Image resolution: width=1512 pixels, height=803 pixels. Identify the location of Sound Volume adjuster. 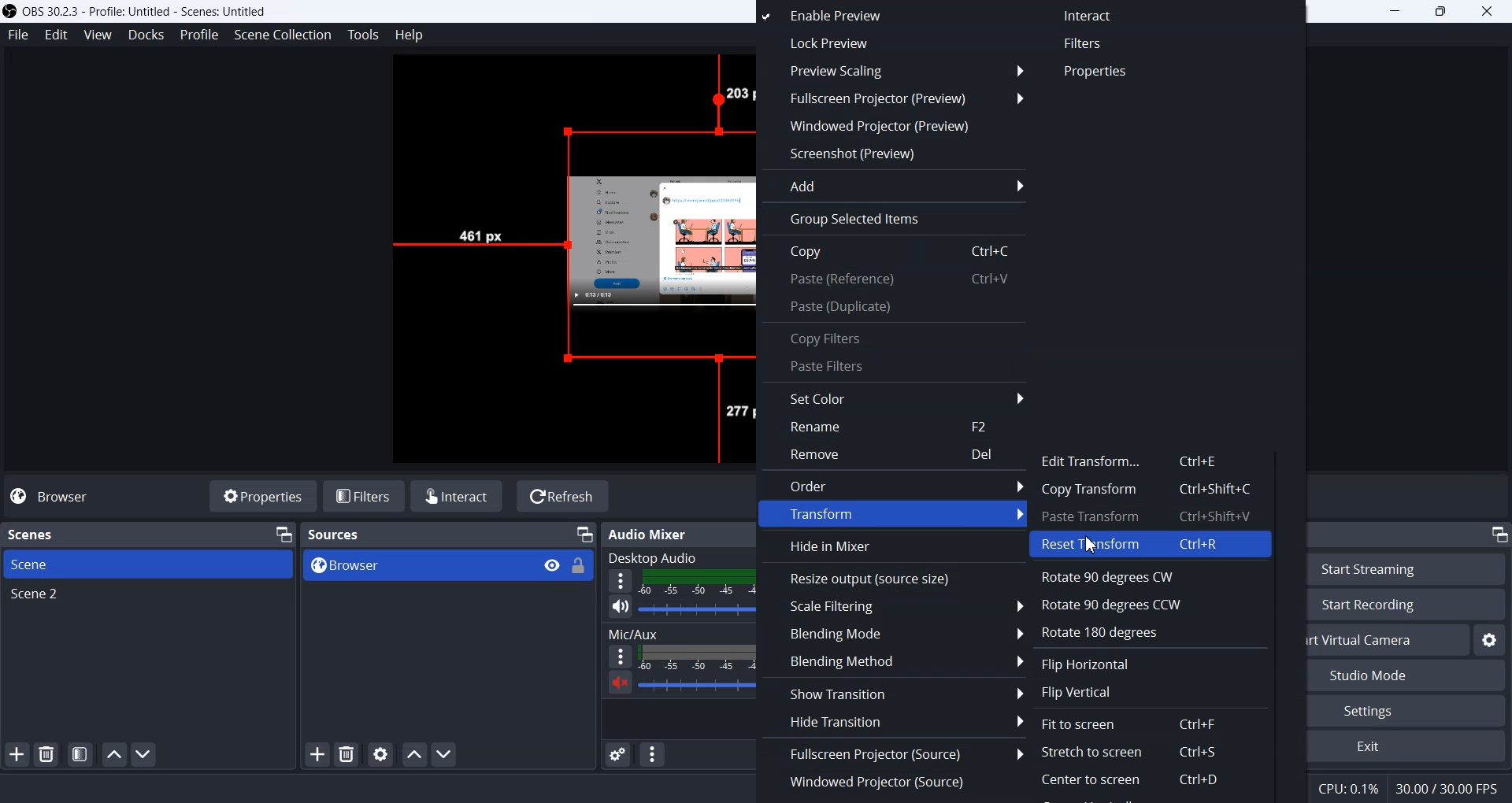
(699, 686).